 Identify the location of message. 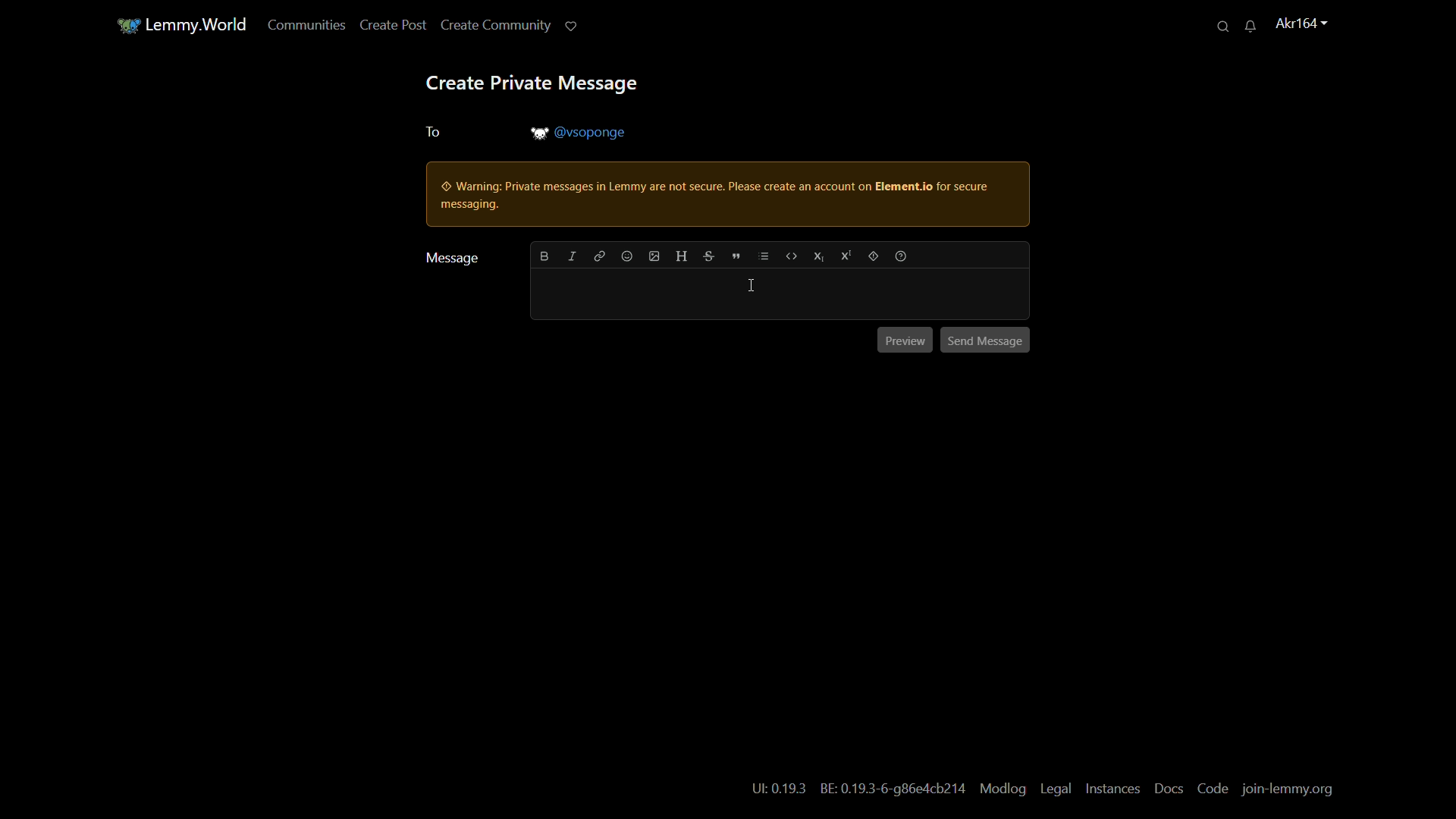
(450, 257).